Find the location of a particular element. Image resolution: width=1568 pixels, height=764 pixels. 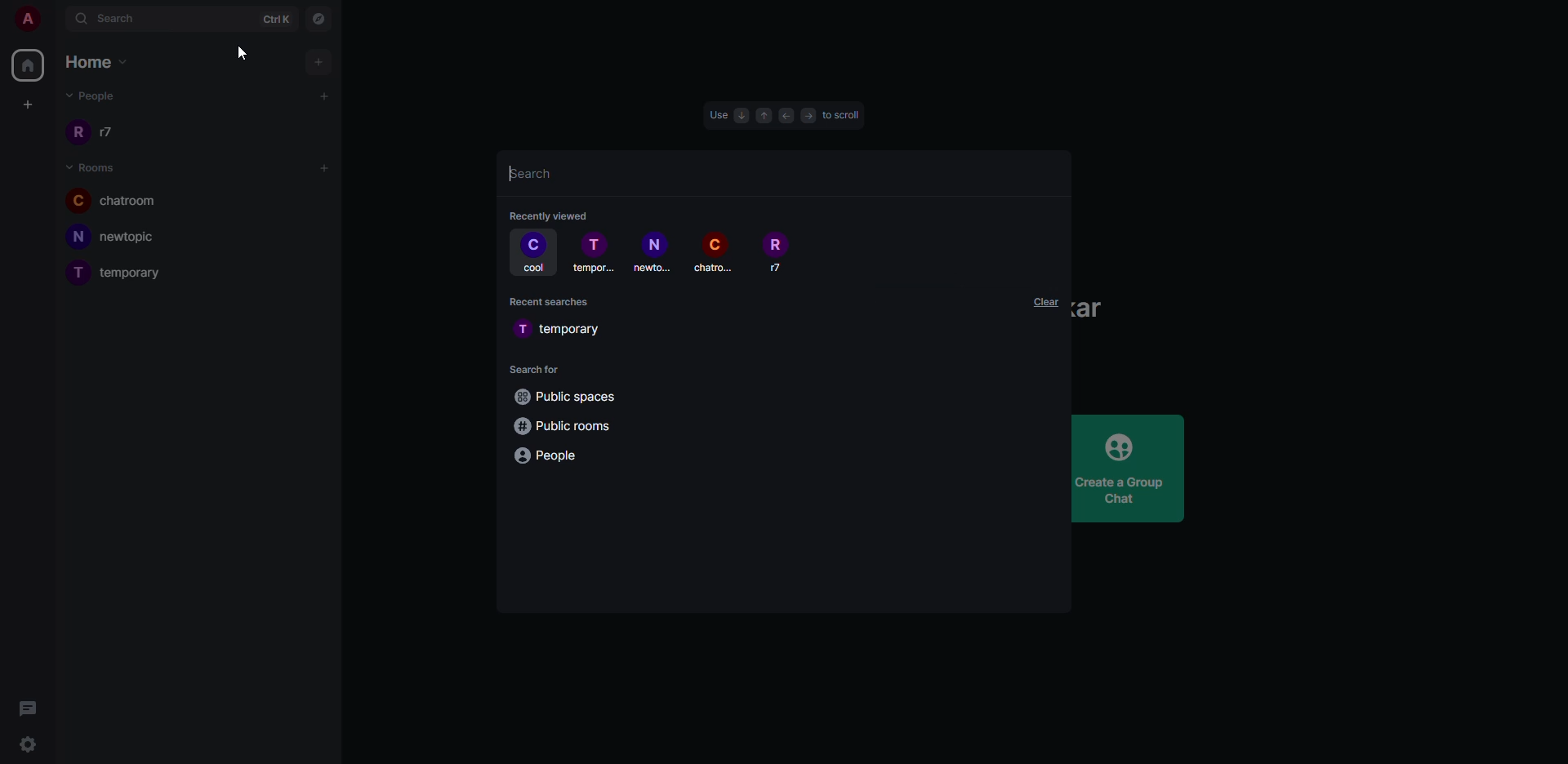

scroll is located at coordinates (844, 113).